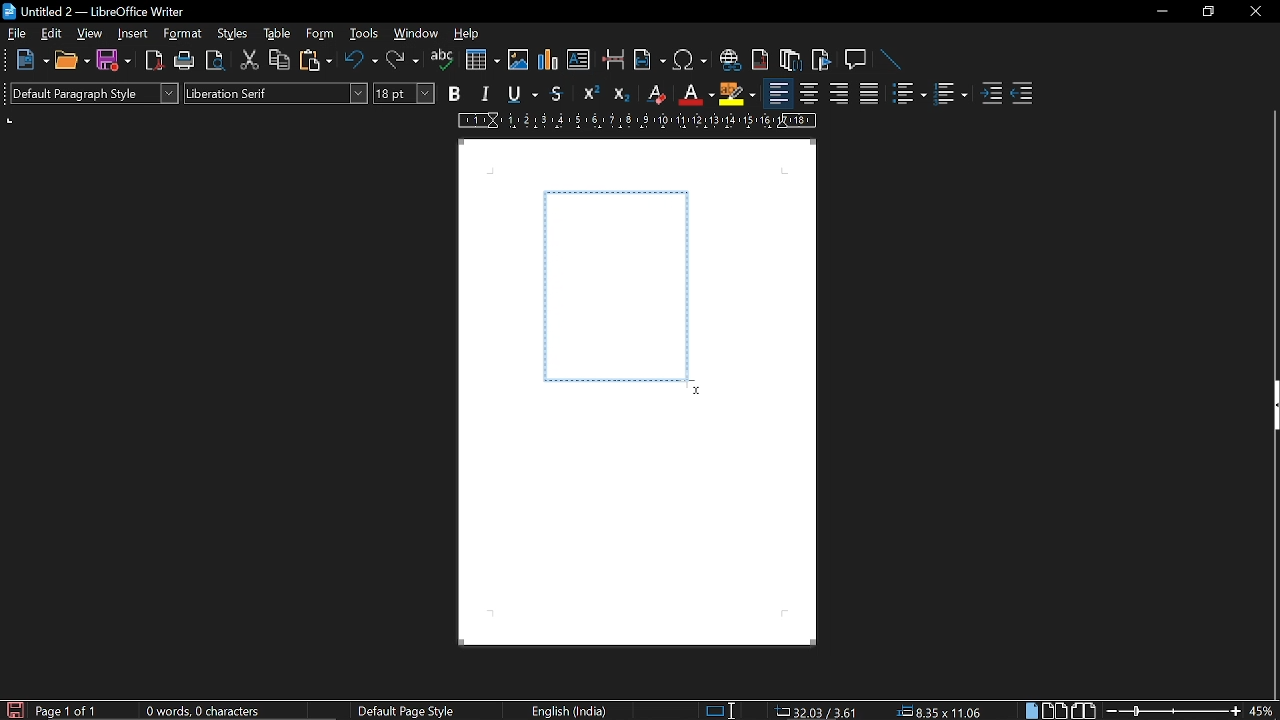  What do you see at coordinates (614, 62) in the screenshot?
I see `insert pagebreak` at bounding box center [614, 62].